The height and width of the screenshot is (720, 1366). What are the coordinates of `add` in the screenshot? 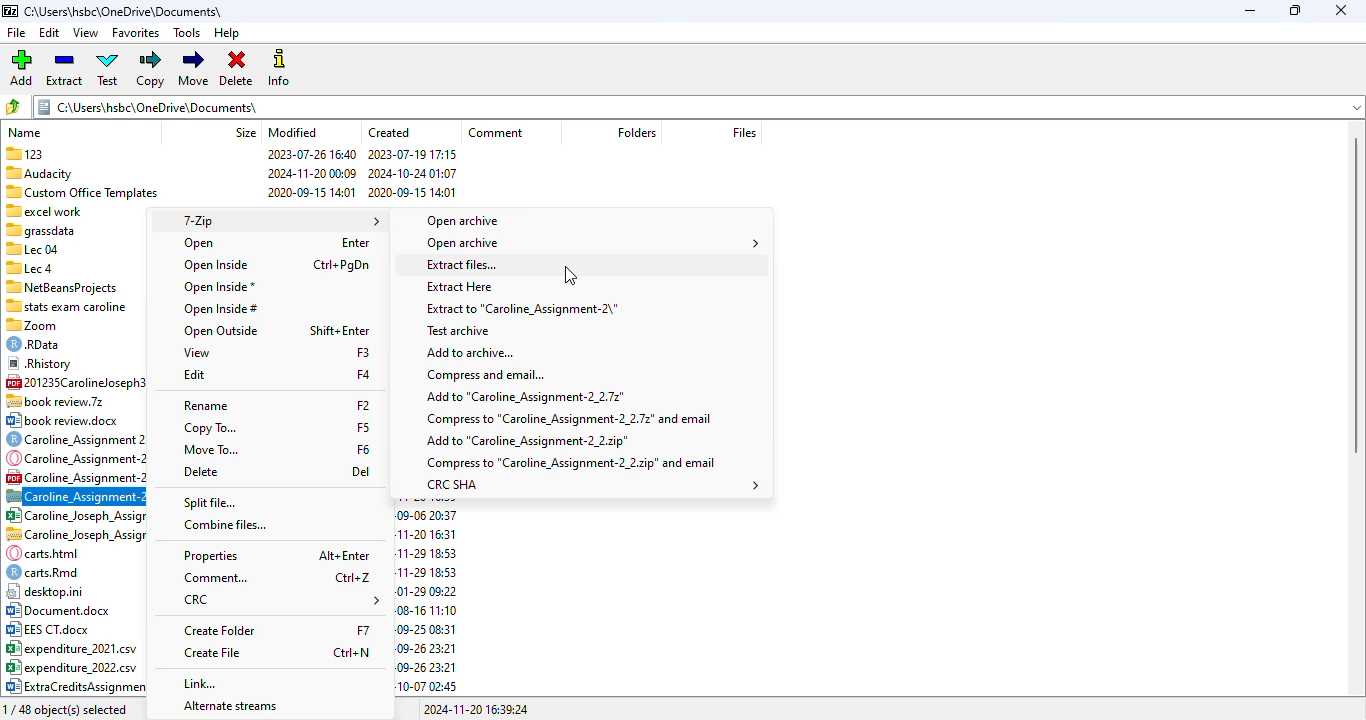 It's located at (20, 68).